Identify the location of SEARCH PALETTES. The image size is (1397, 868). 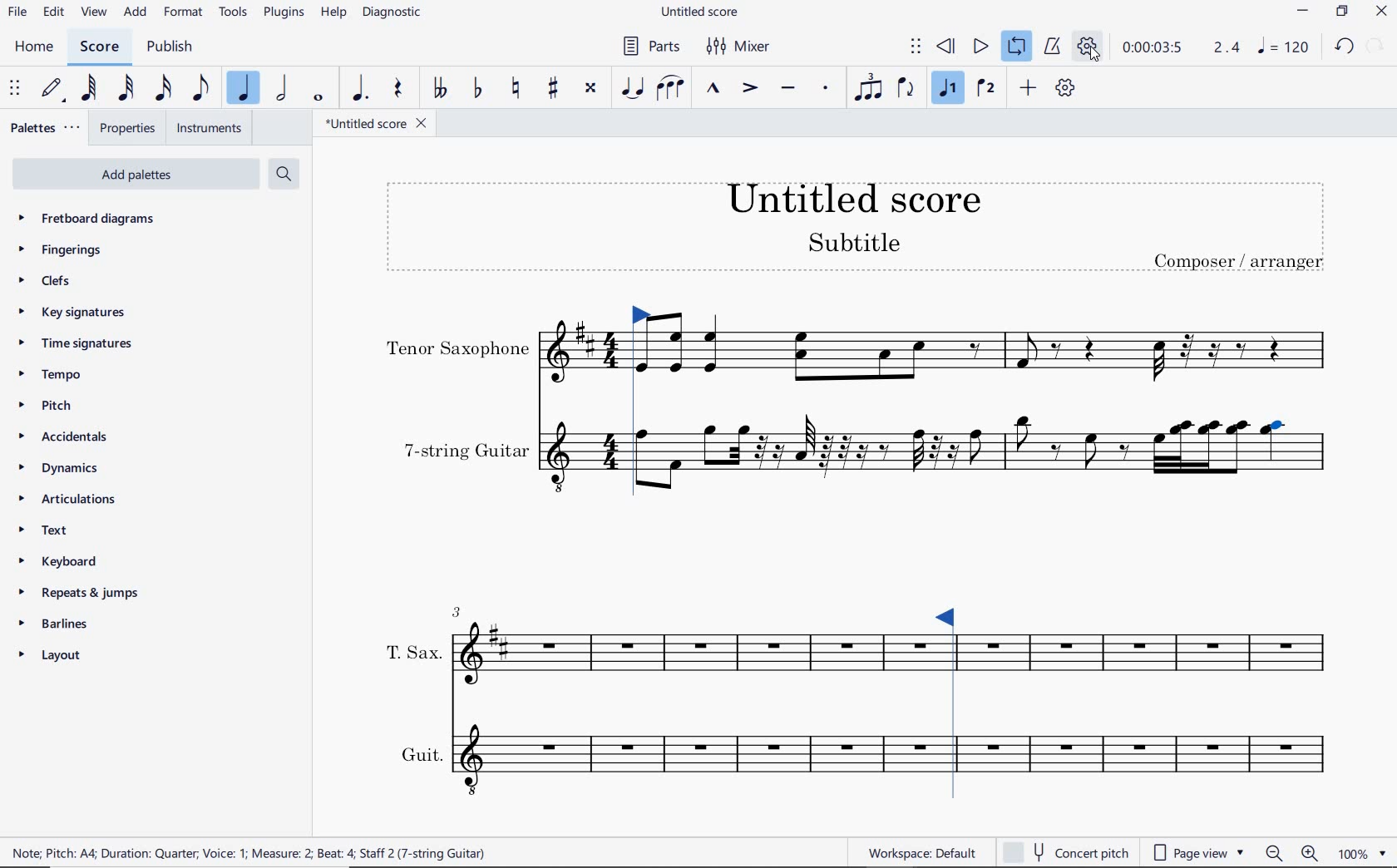
(284, 173).